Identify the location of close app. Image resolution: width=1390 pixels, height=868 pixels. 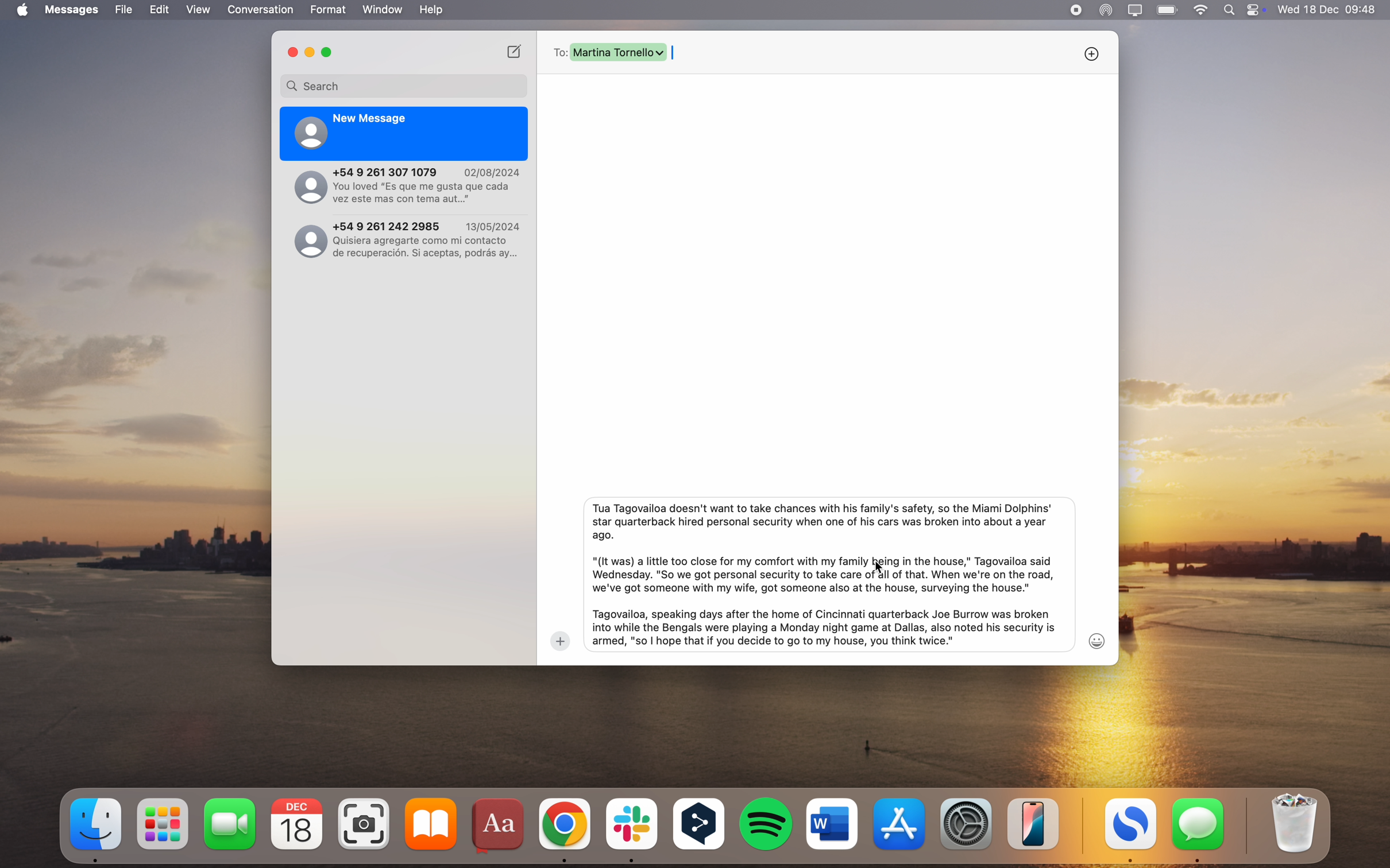
(291, 52).